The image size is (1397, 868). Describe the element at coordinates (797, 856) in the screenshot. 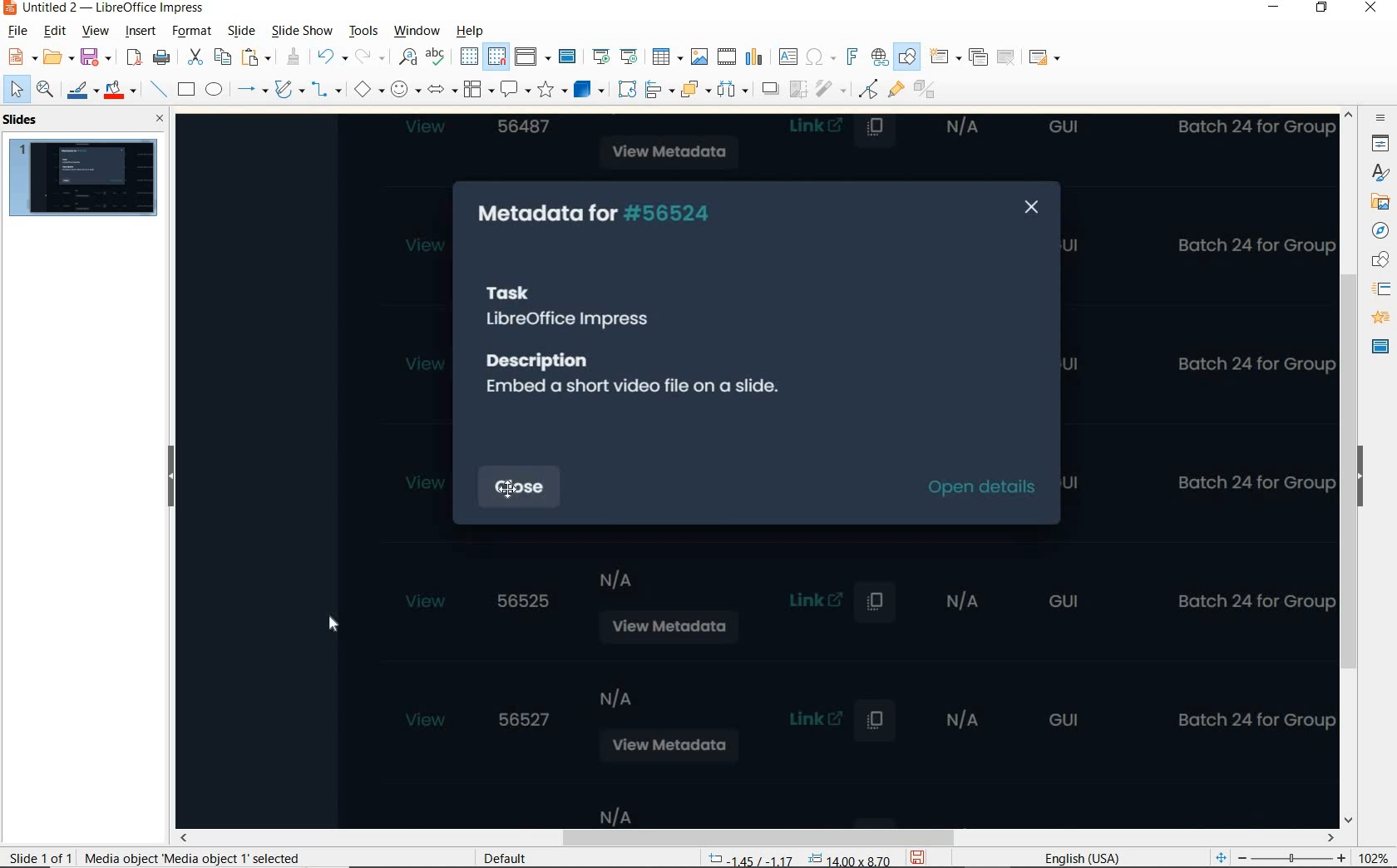

I see `POSITION AND SIZE` at that location.